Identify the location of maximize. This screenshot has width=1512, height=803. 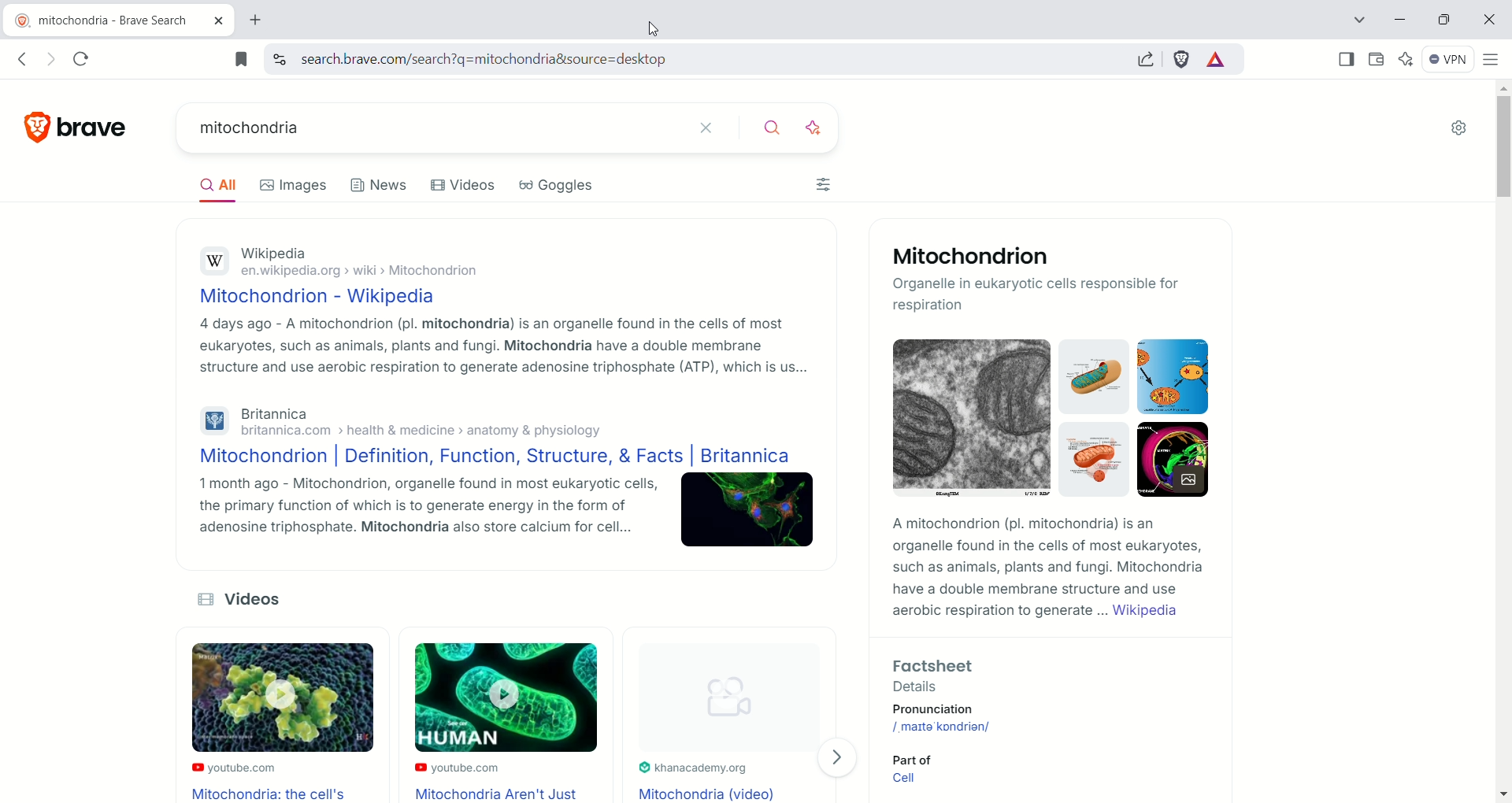
(1444, 20).